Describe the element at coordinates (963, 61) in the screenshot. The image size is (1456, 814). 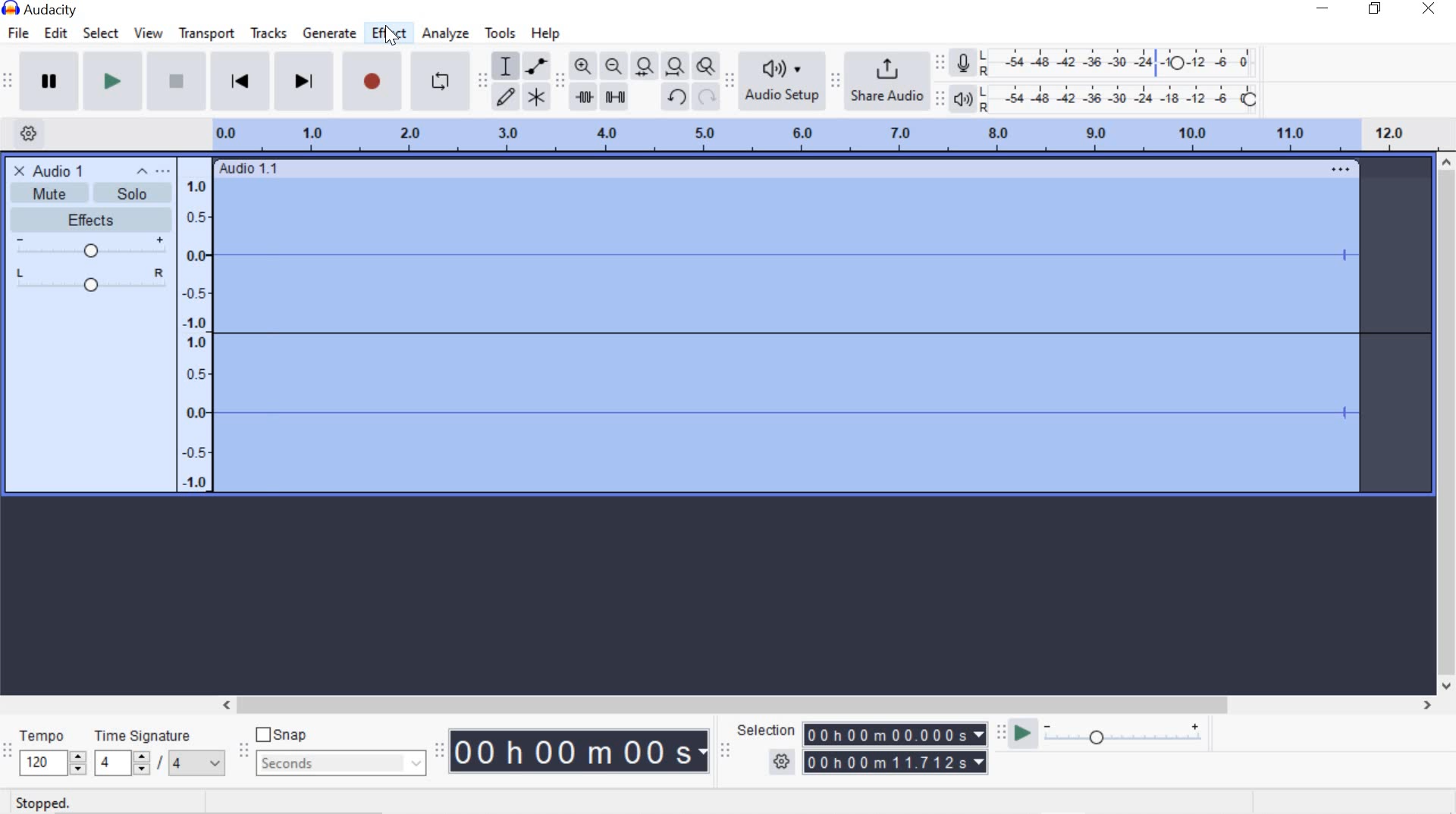
I see `Record meter` at that location.